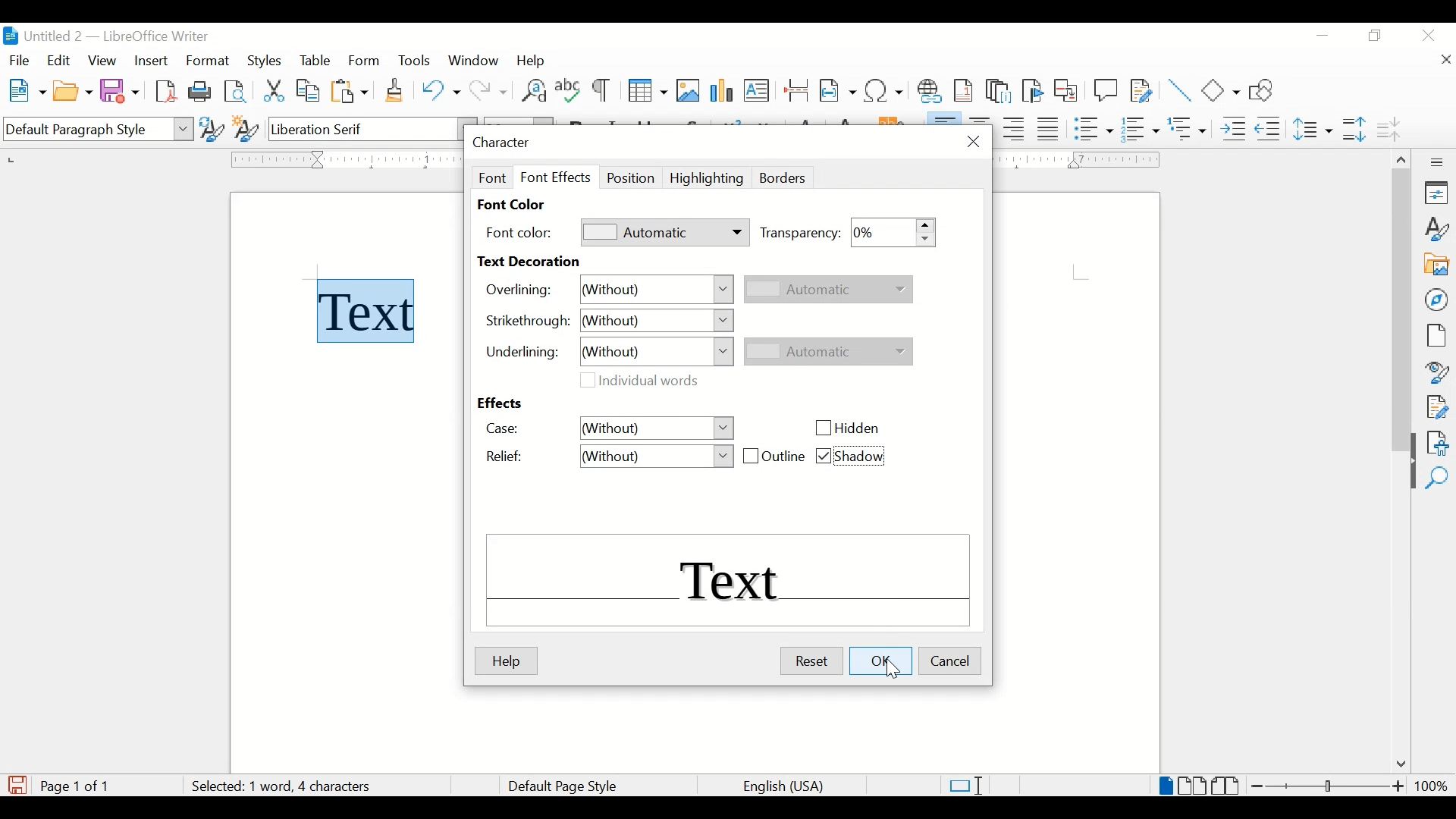 Image resolution: width=1456 pixels, height=819 pixels. What do you see at coordinates (630, 177) in the screenshot?
I see `position` at bounding box center [630, 177].